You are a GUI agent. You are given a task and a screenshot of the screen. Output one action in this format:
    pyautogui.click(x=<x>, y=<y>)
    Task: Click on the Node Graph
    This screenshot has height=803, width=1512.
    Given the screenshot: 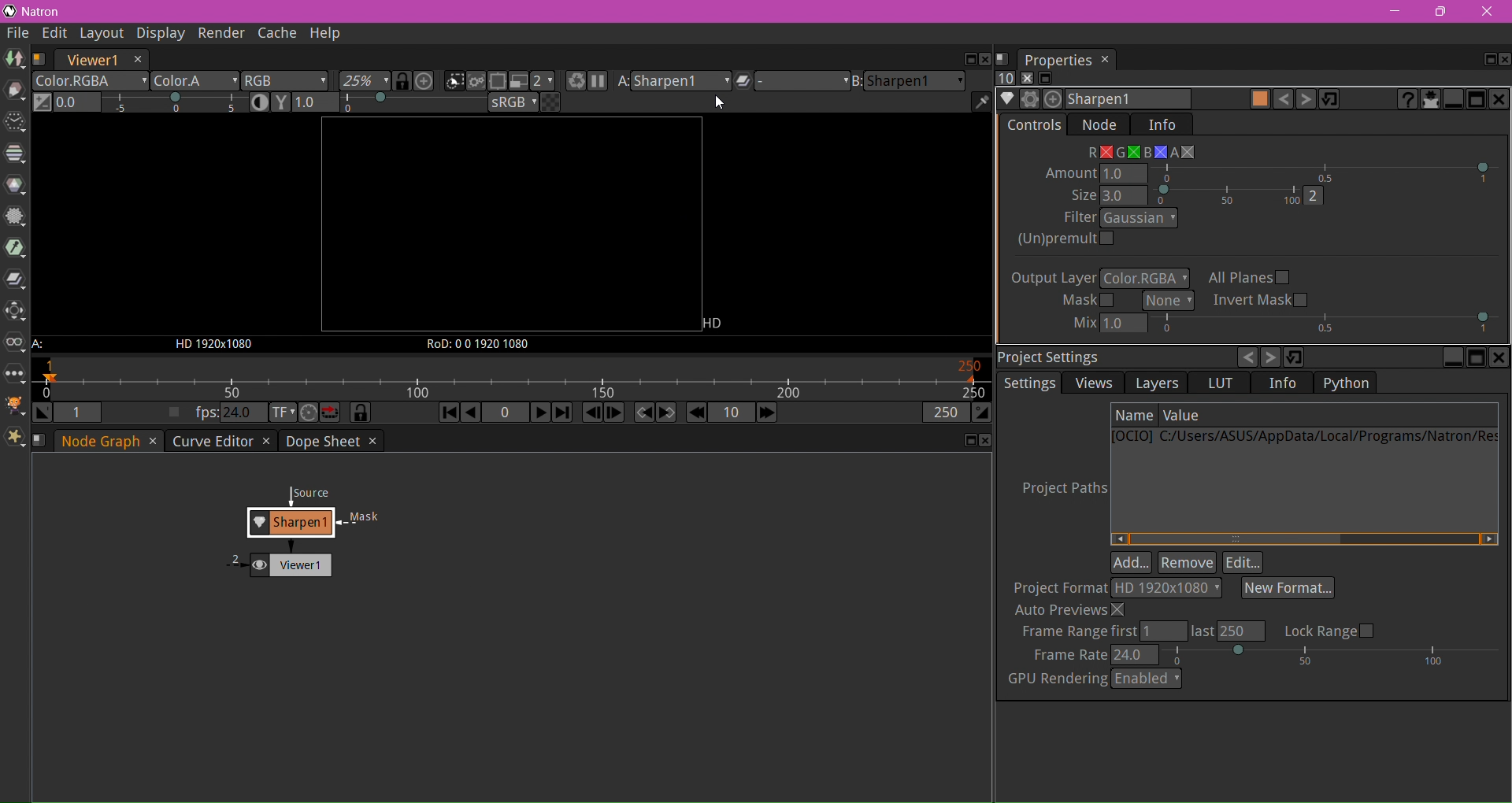 What is the action you would take?
    pyautogui.click(x=103, y=441)
    